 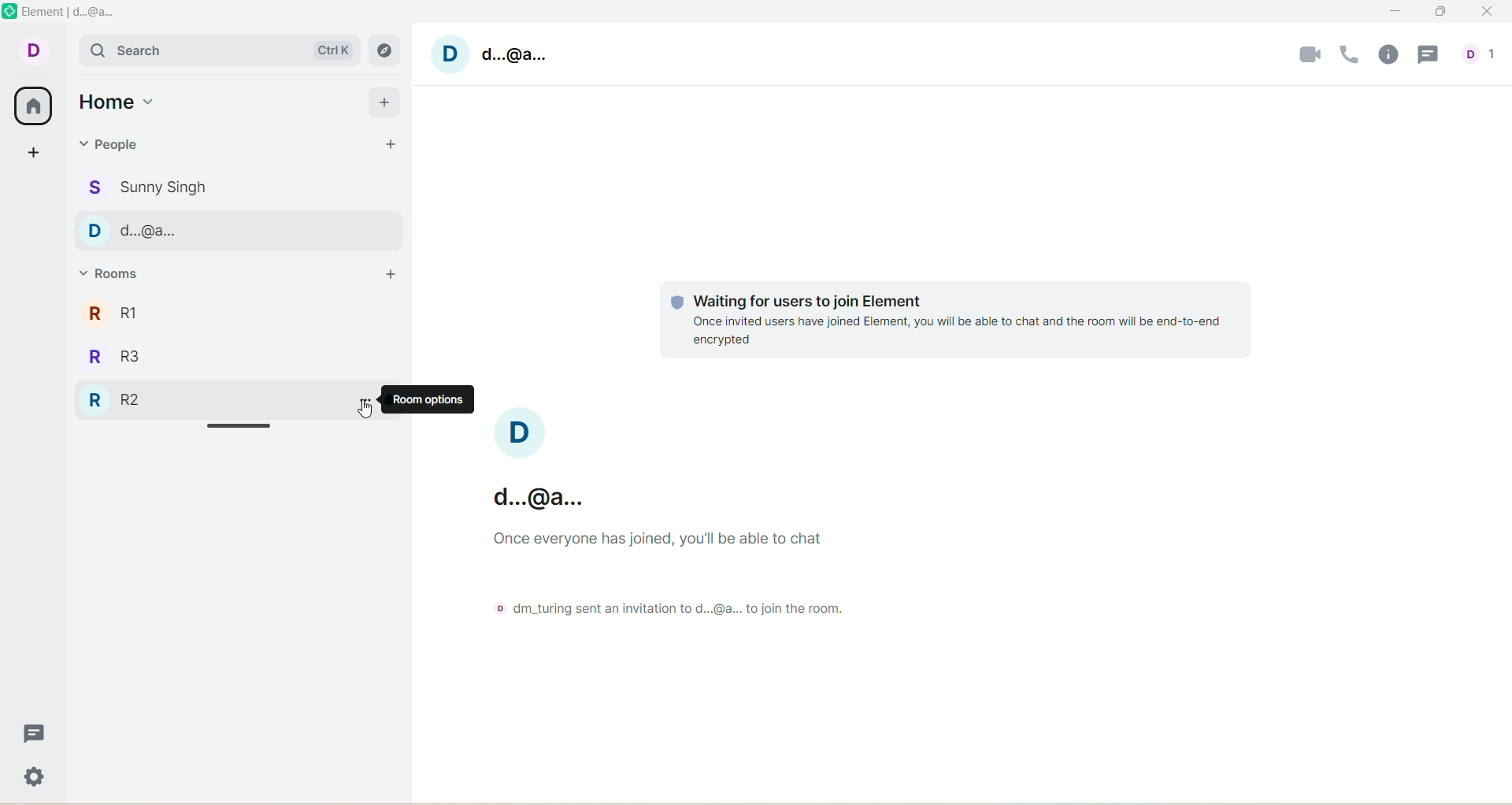 What do you see at coordinates (1392, 56) in the screenshot?
I see `room info` at bounding box center [1392, 56].